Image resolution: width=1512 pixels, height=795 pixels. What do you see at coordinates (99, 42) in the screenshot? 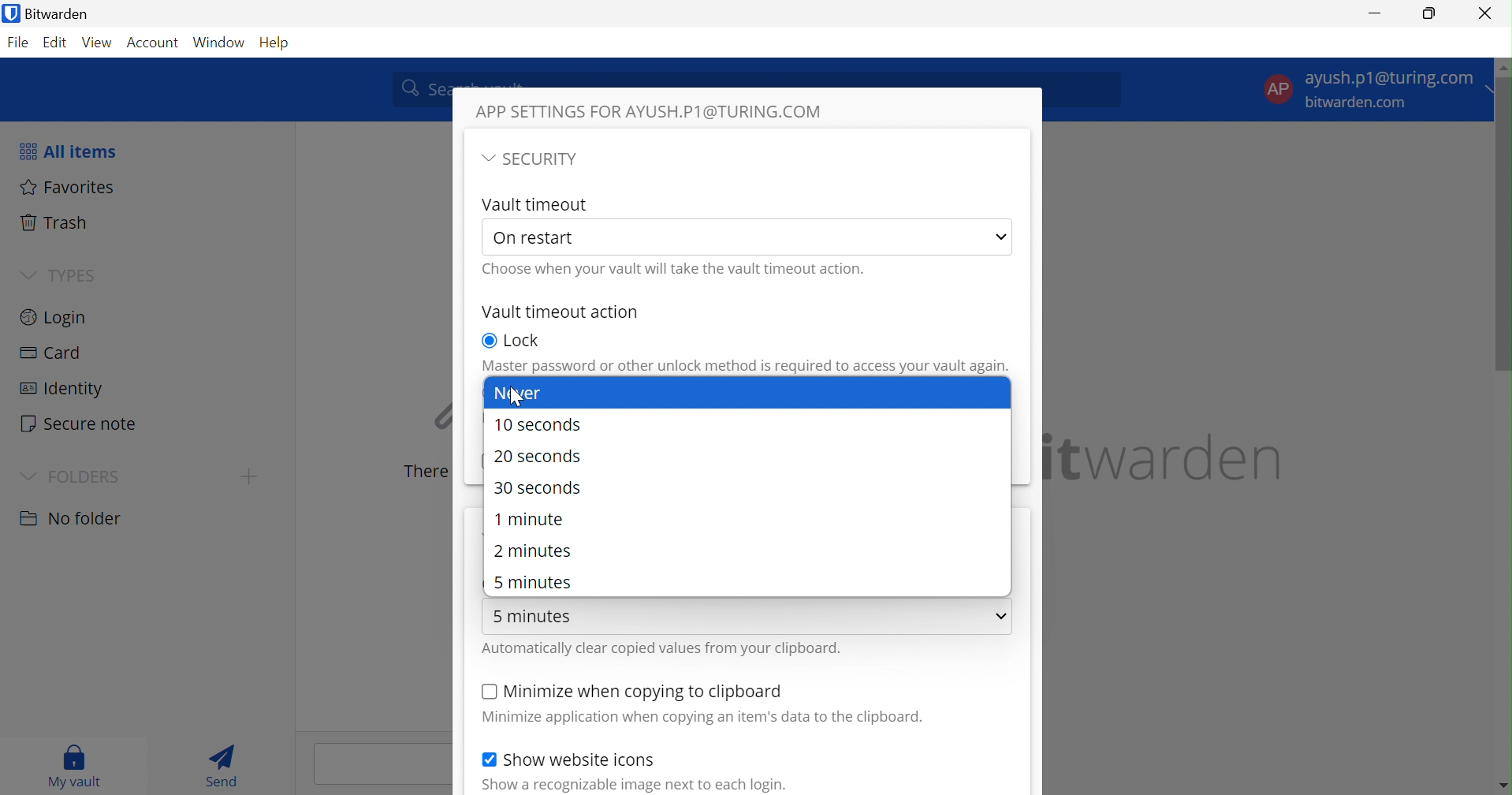
I see `View` at bounding box center [99, 42].